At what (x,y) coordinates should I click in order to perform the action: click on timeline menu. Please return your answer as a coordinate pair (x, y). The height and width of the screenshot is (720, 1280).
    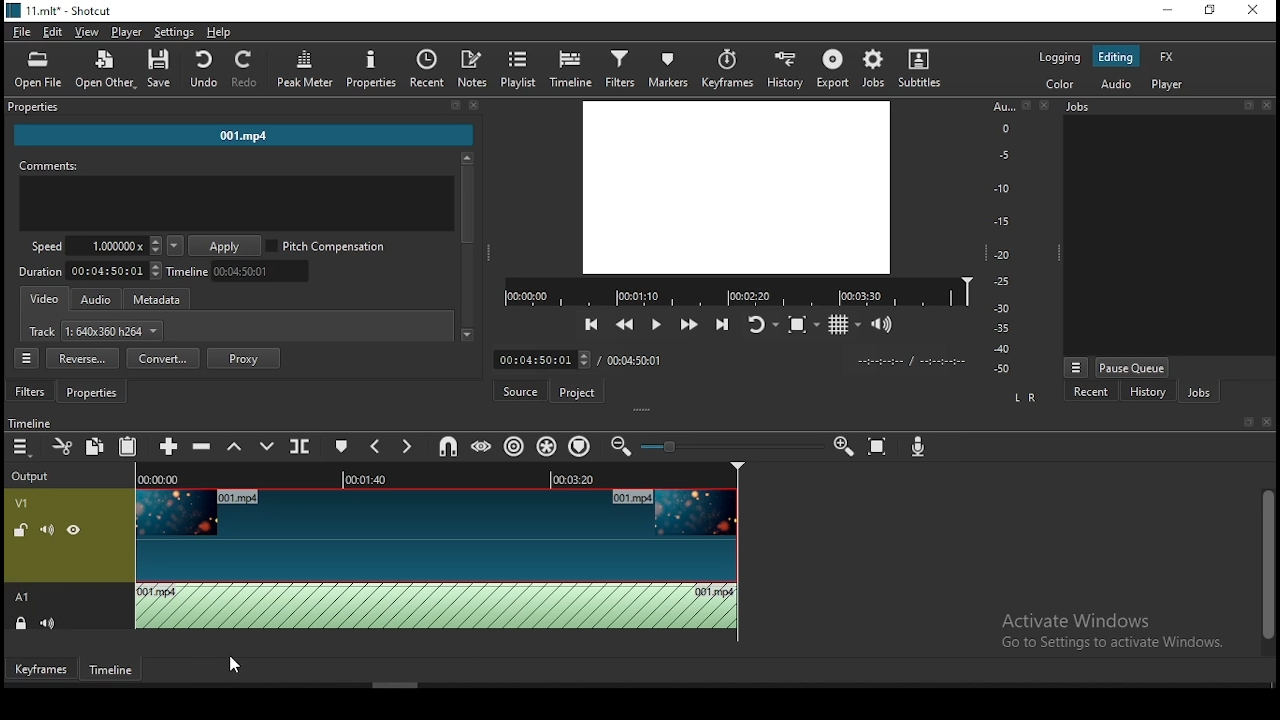
    Looking at the image, I should click on (22, 447).